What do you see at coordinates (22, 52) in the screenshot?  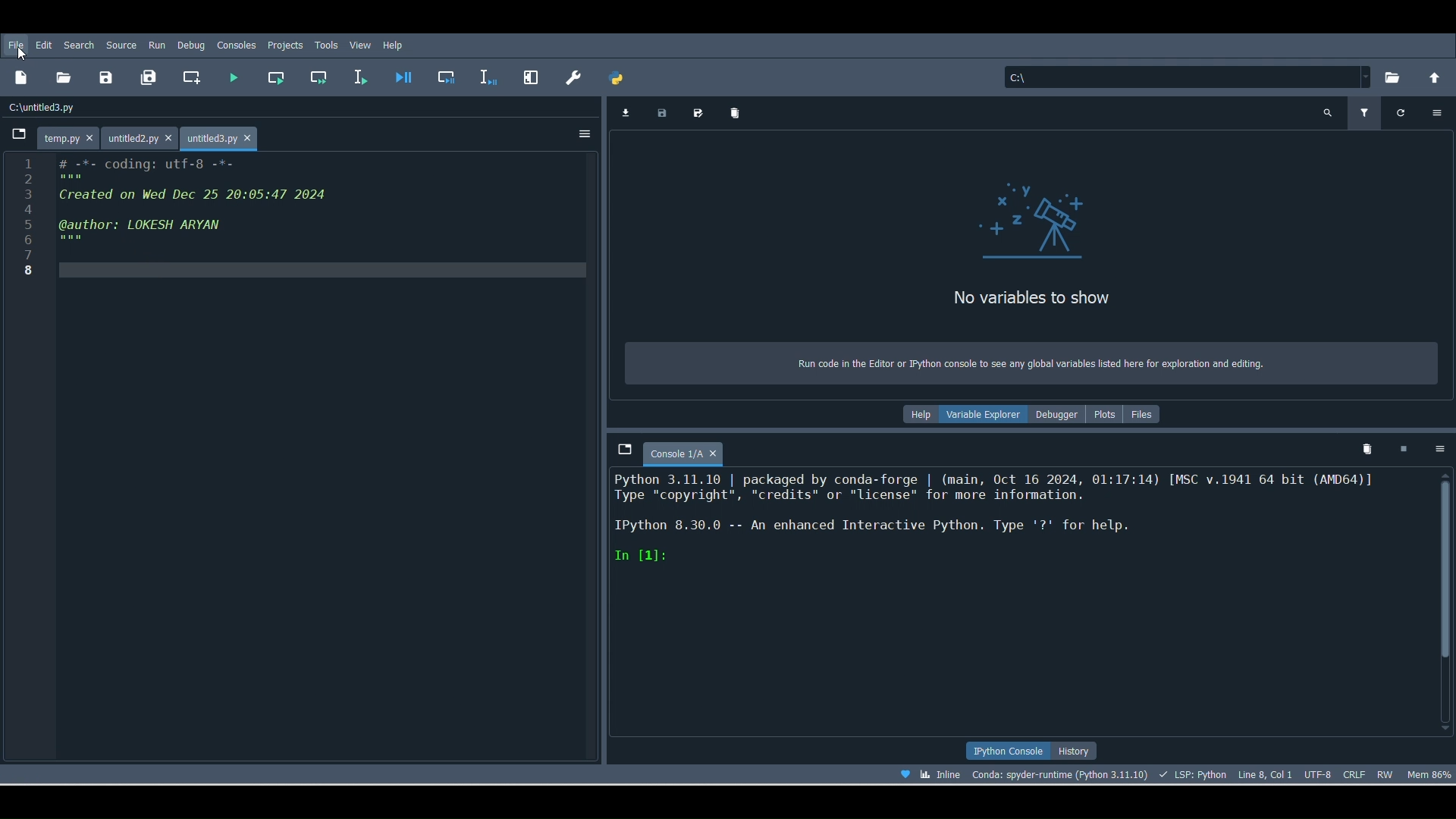 I see `Cursor` at bounding box center [22, 52].